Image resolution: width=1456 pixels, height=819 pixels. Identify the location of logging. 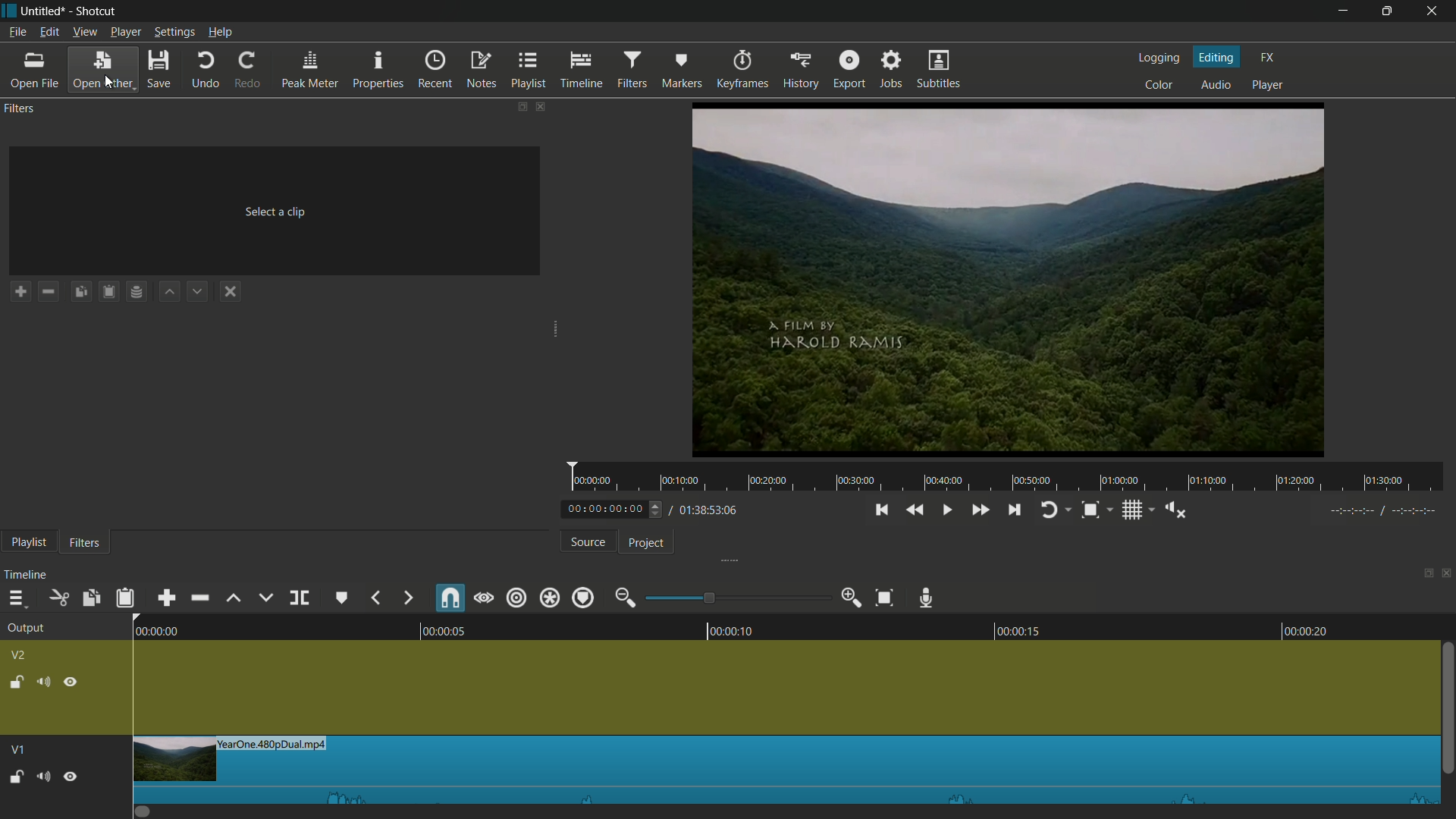
(1161, 59).